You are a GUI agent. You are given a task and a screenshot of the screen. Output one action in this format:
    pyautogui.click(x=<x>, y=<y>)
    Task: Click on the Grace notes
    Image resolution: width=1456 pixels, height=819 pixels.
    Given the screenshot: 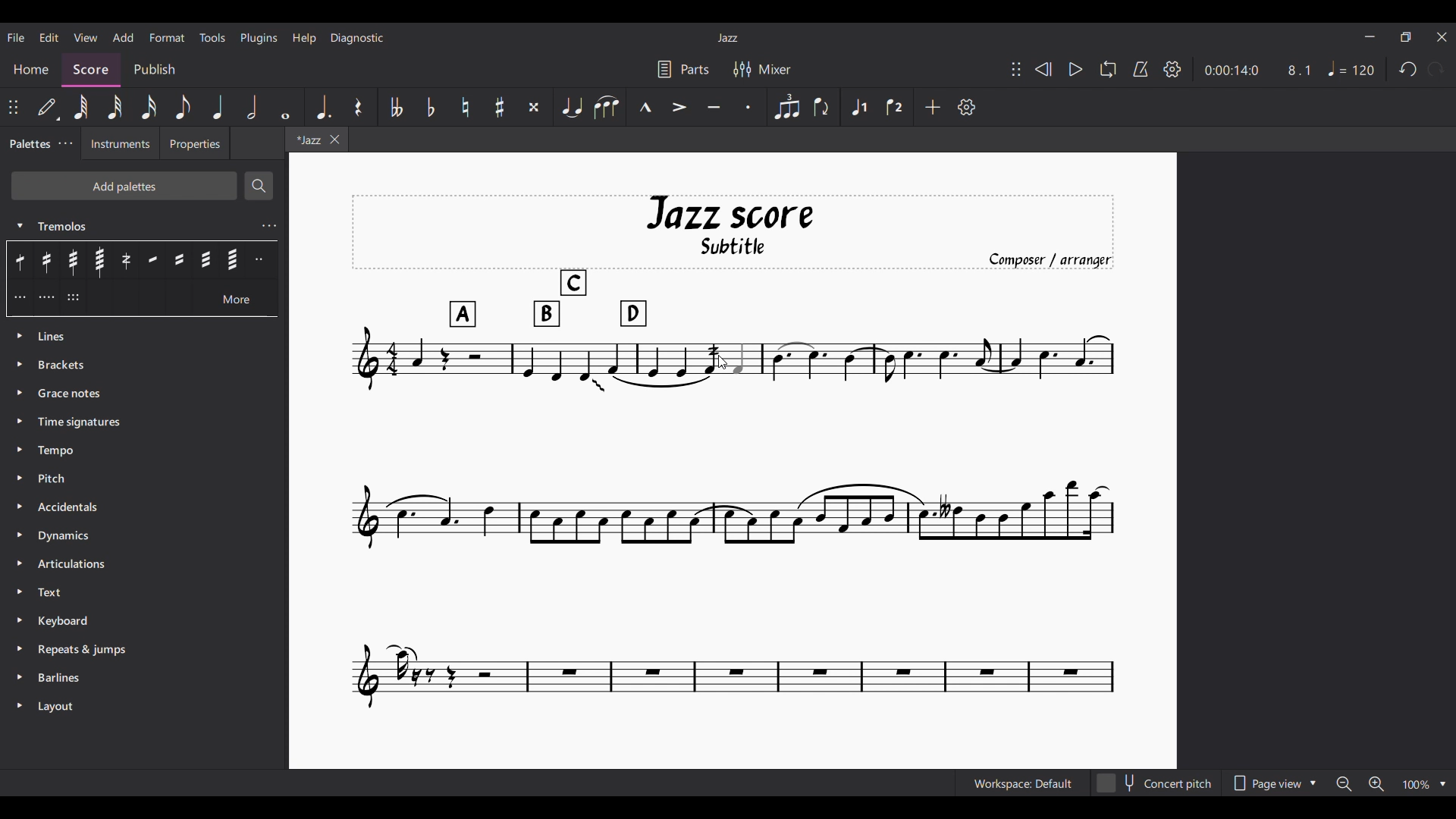 What is the action you would take?
    pyautogui.click(x=146, y=394)
    